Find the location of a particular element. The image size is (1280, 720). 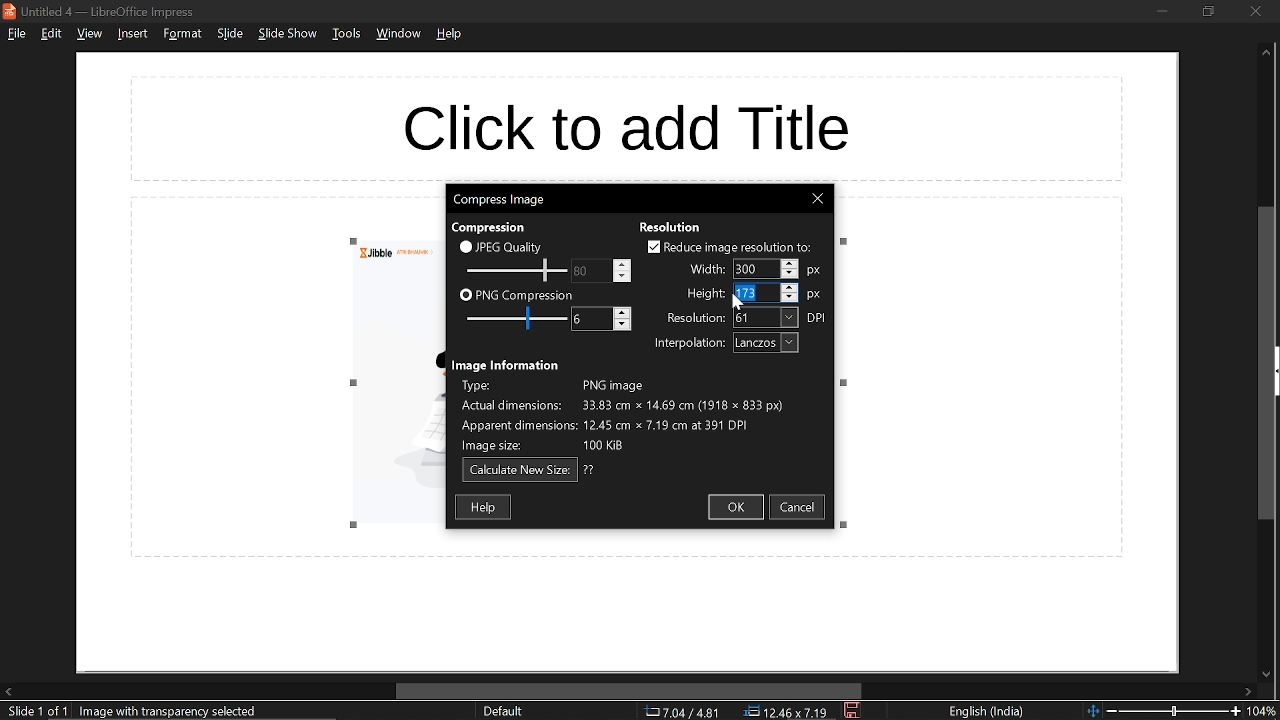

file is located at coordinates (16, 35).